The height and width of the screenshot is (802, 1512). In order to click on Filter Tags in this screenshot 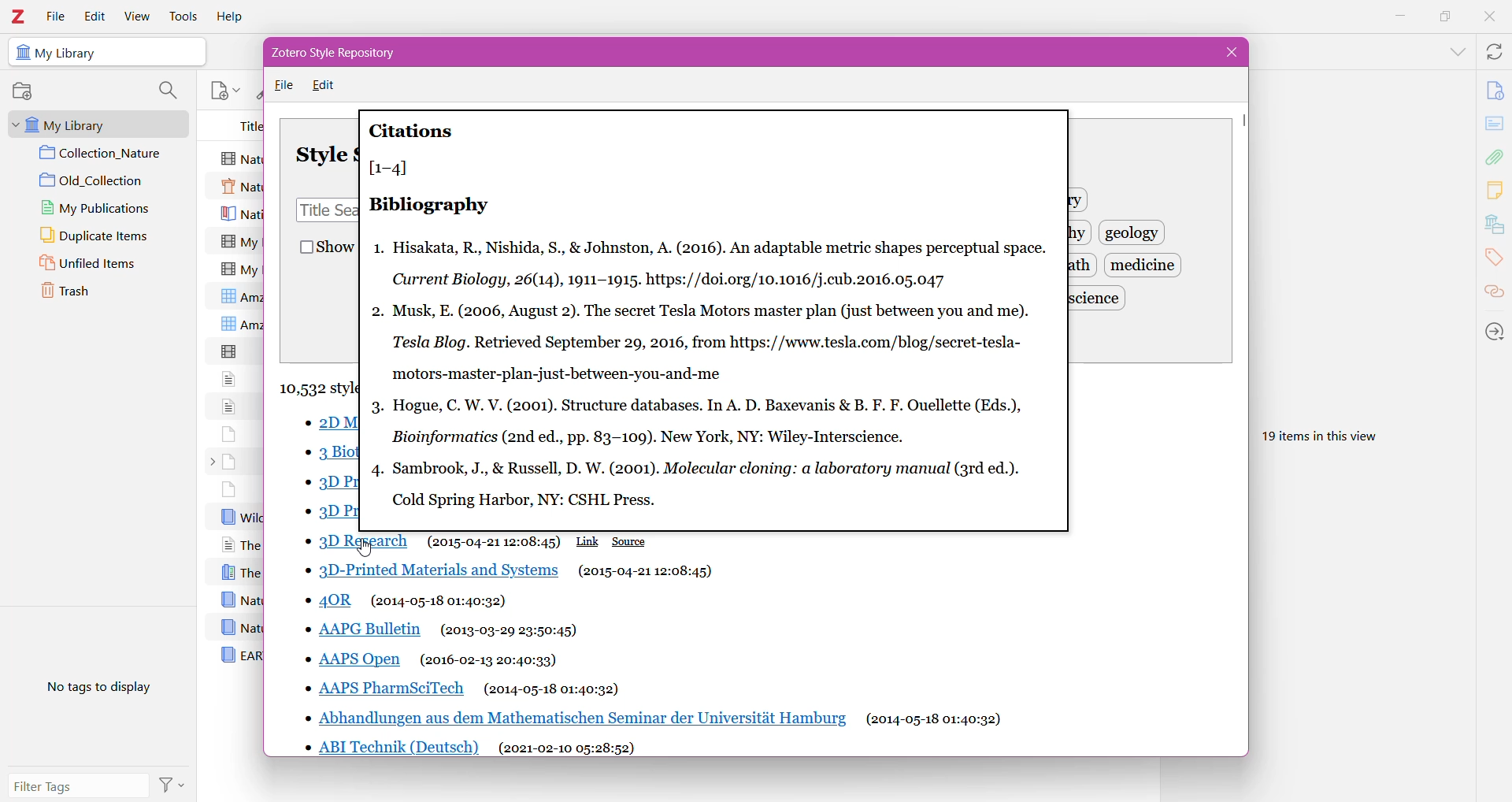, I will do `click(80, 786)`.